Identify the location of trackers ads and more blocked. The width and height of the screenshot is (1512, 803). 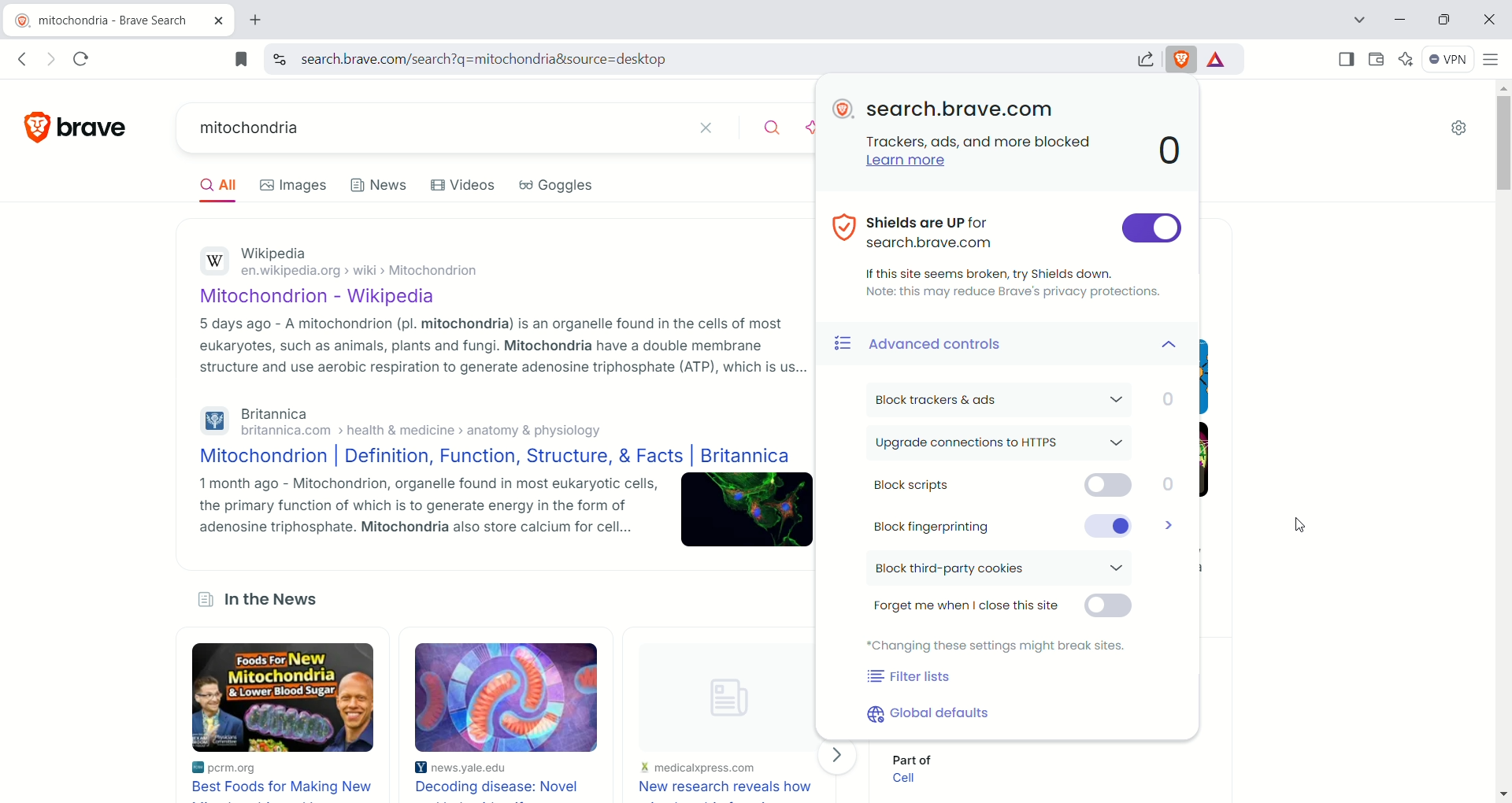
(974, 140).